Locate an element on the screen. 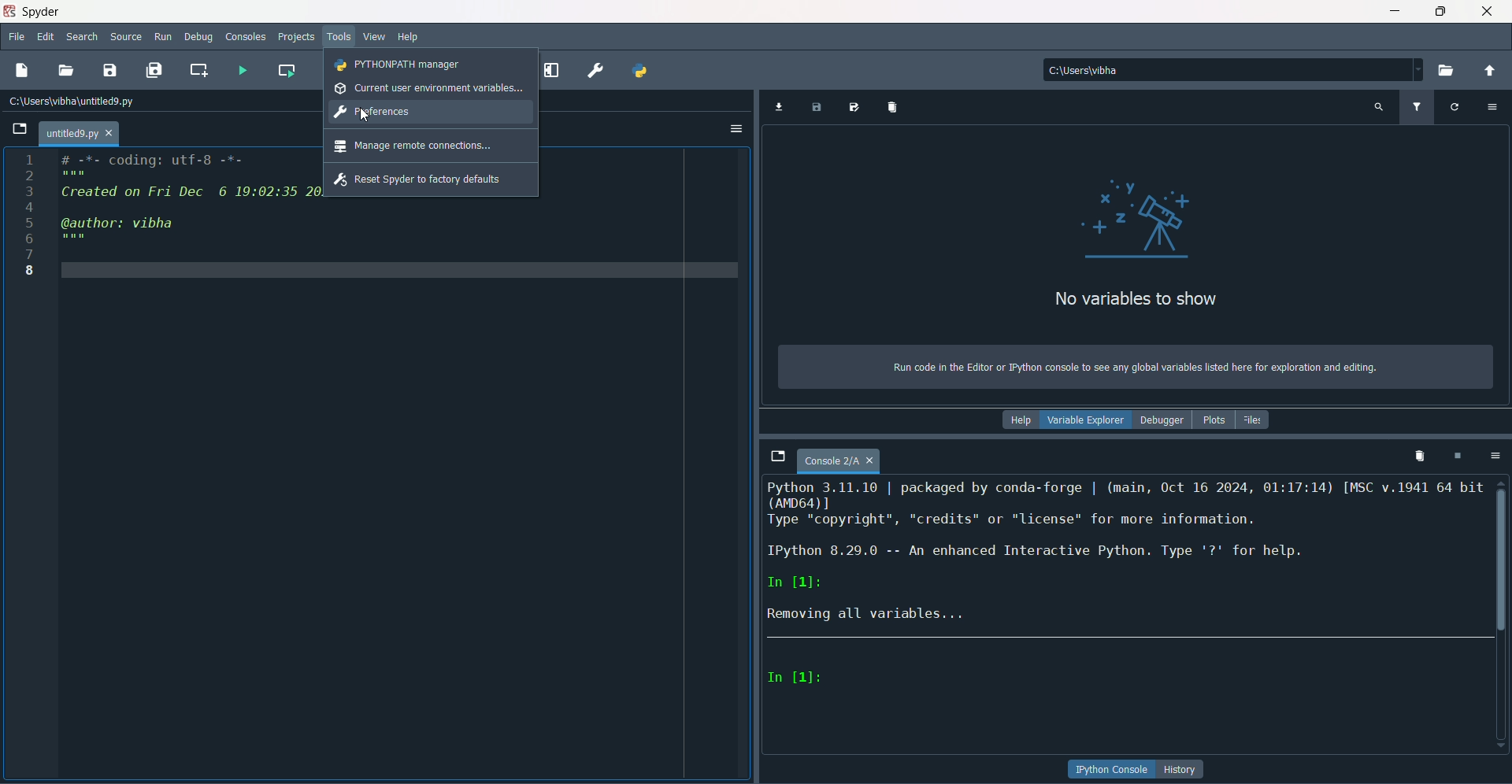 The image size is (1512, 784).  is located at coordinates (297, 39).